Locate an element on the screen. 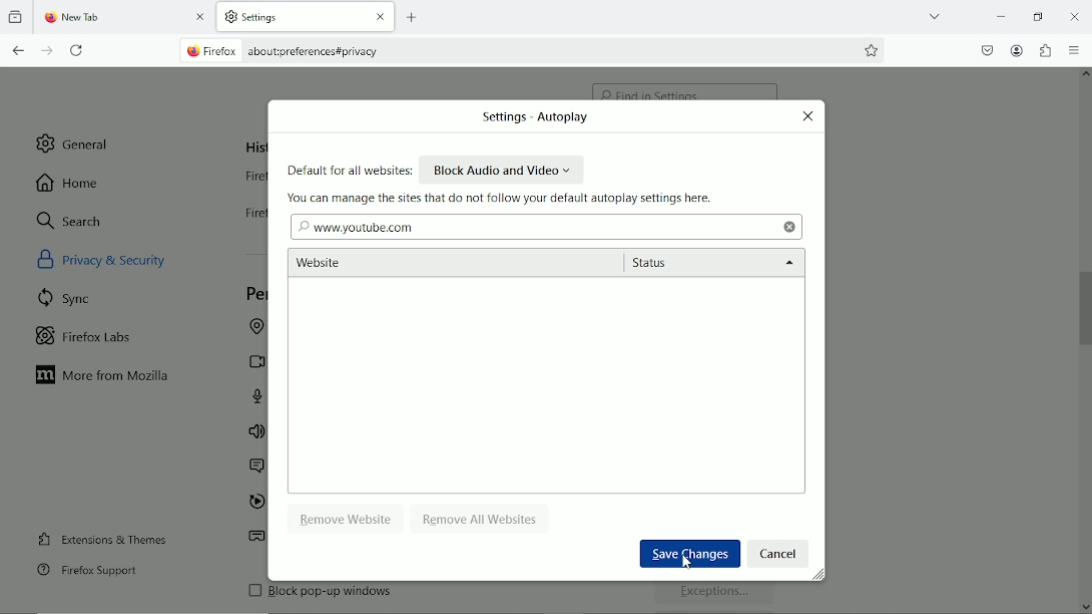  default for all website is located at coordinates (349, 171).